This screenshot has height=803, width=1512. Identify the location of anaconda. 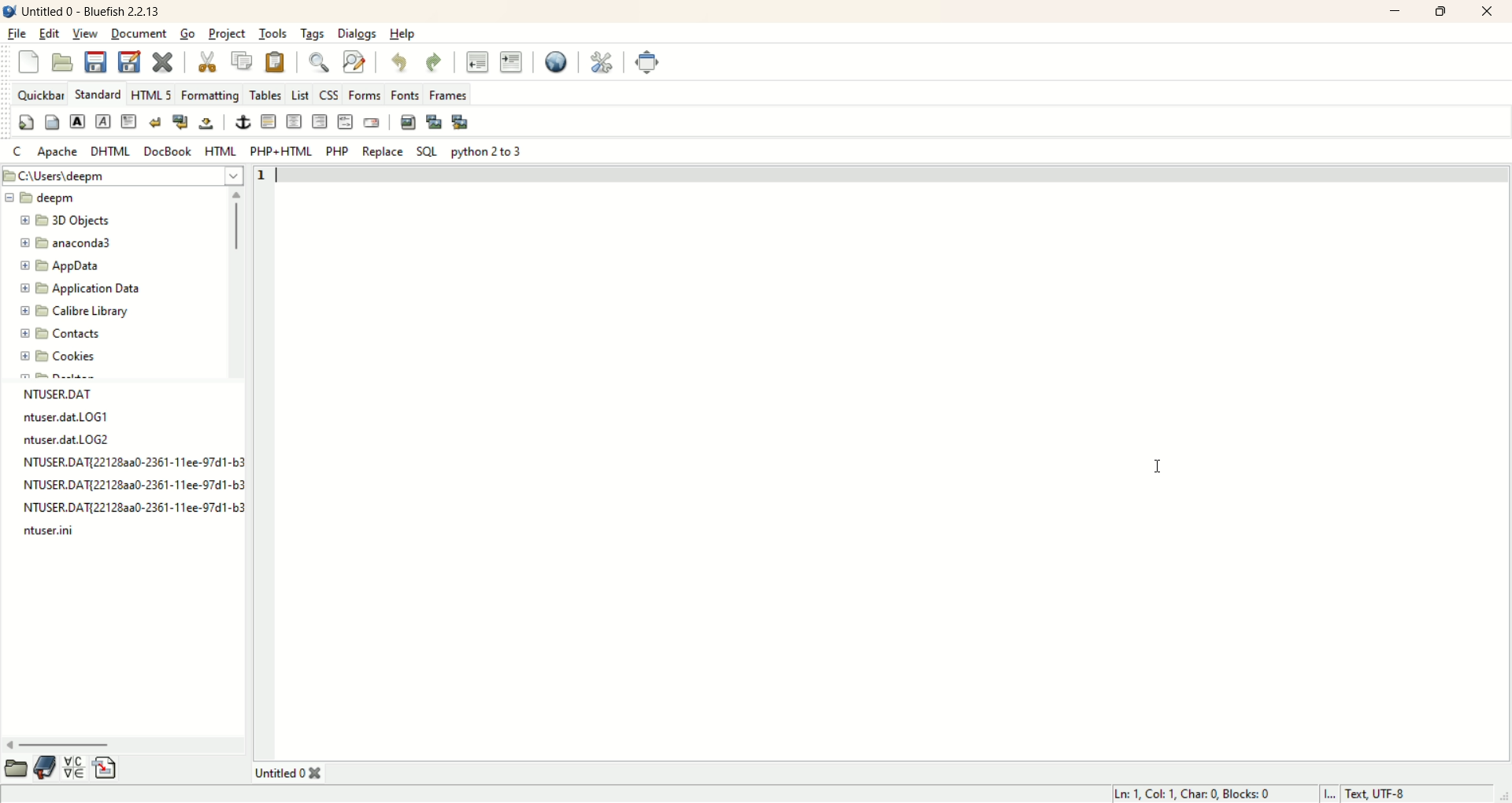
(71, 243).